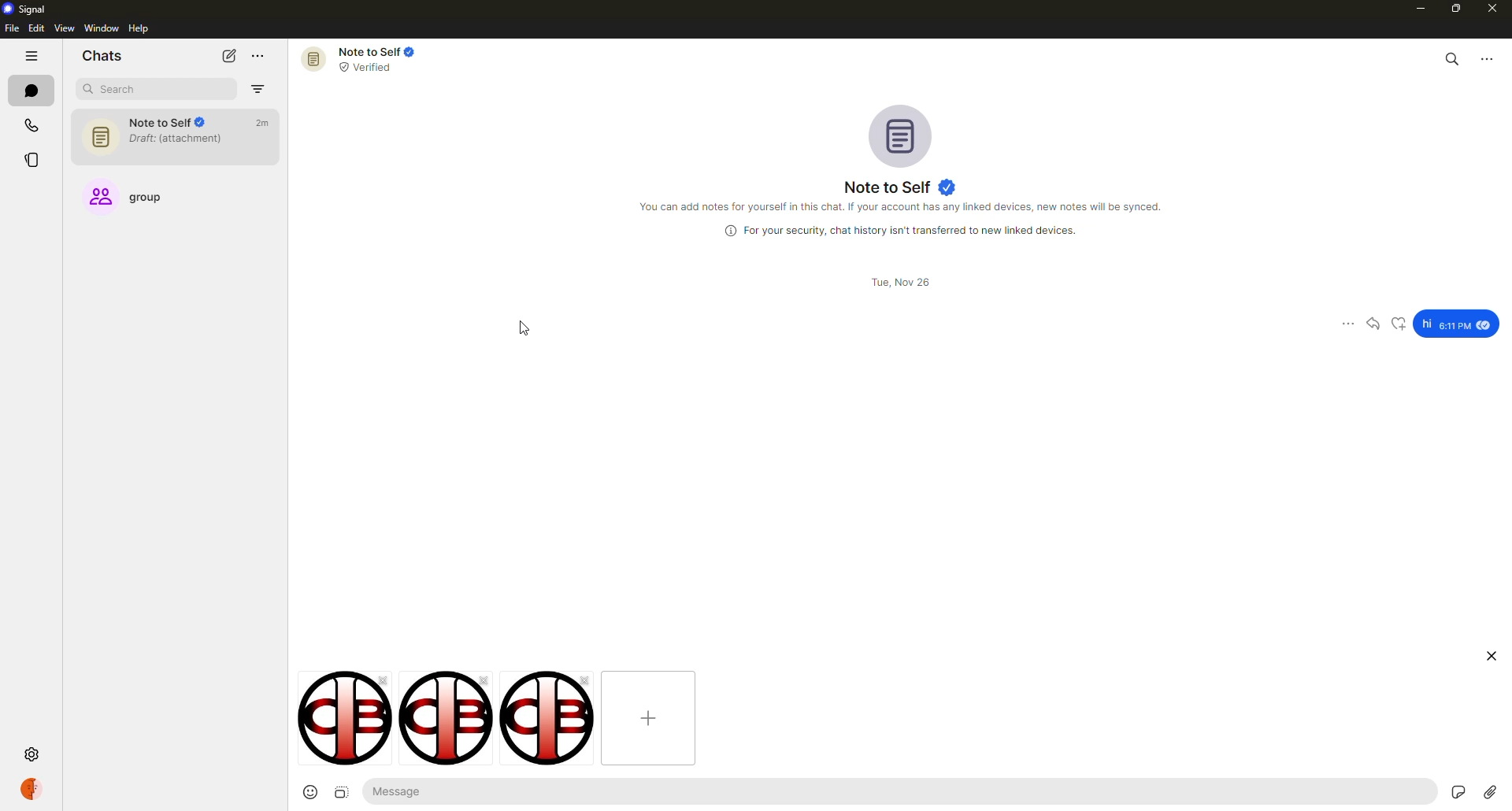 The width and height of the screenshot is (1512, 811). I want to click on profile pic, so click(899, 135).